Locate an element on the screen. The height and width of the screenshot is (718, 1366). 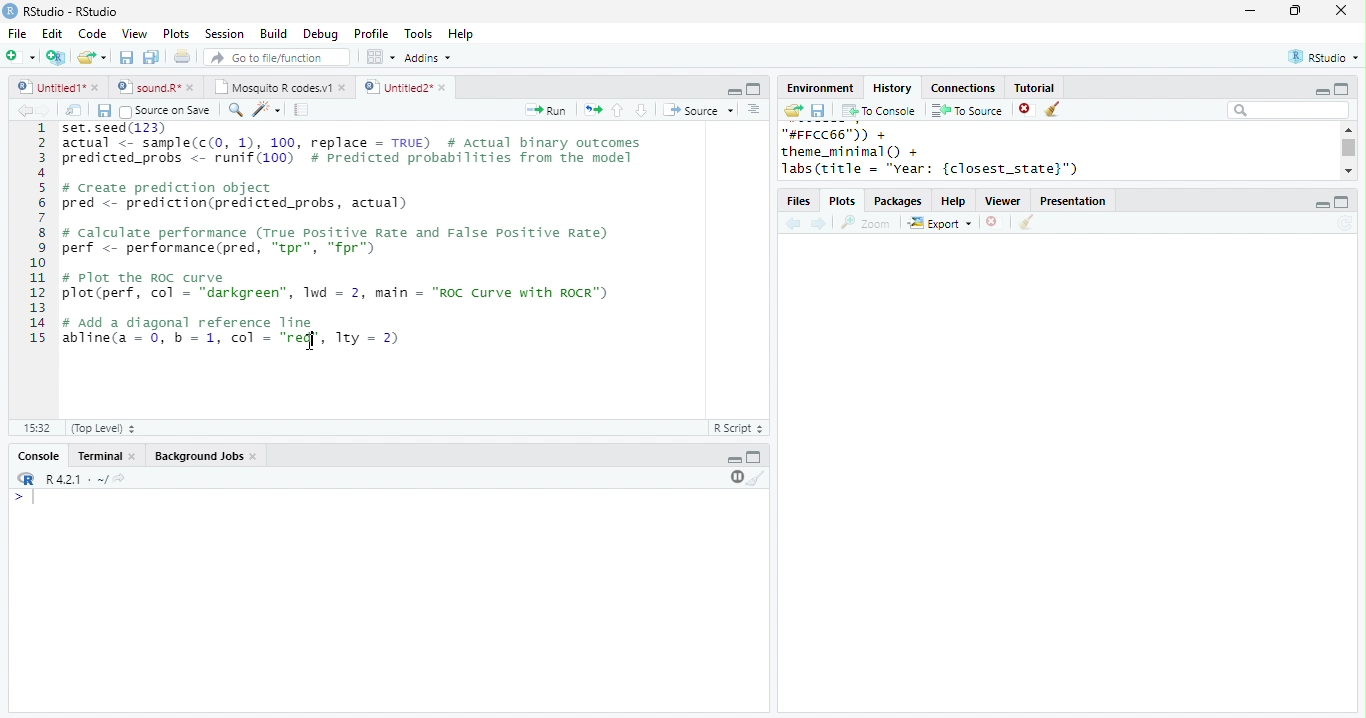
Environment is located at coordinates (819, 88).